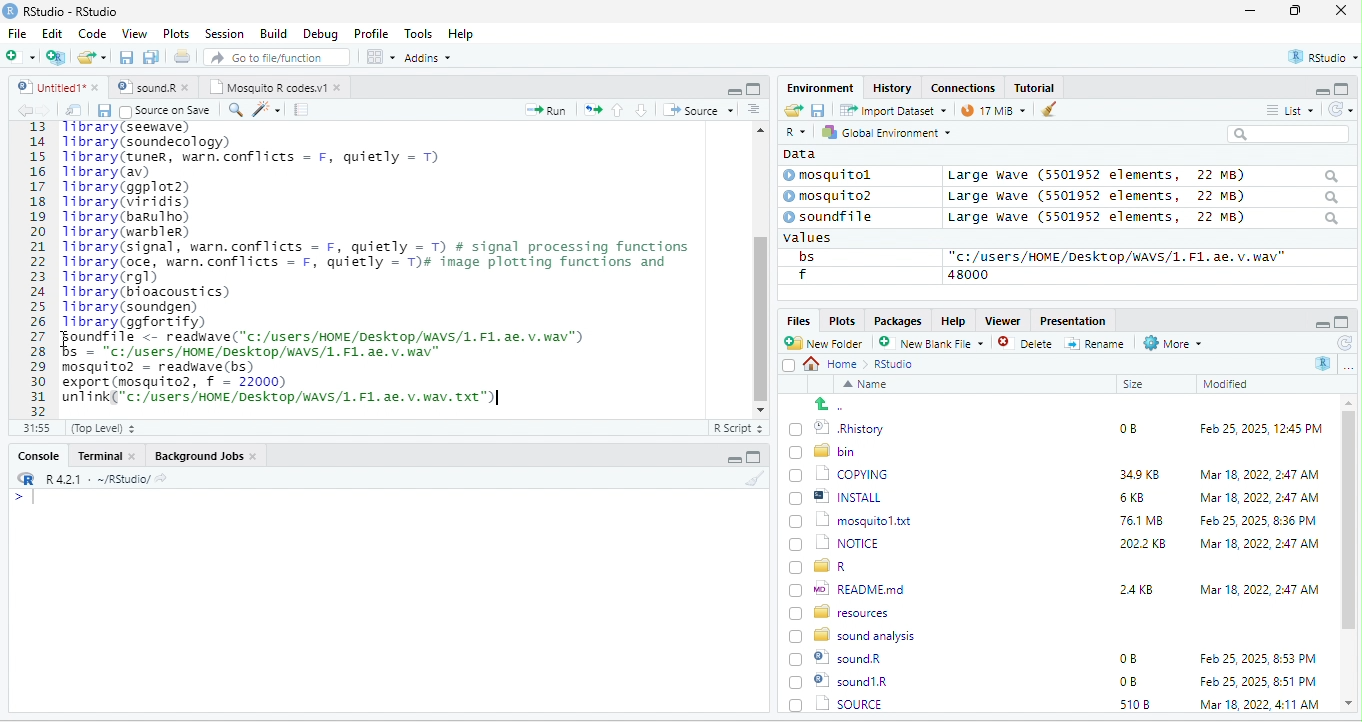 The height and width of the screenshot is (722, 1362). Describe the element at coordinates (818, 238) in the screenshot. I see `values` at that location.